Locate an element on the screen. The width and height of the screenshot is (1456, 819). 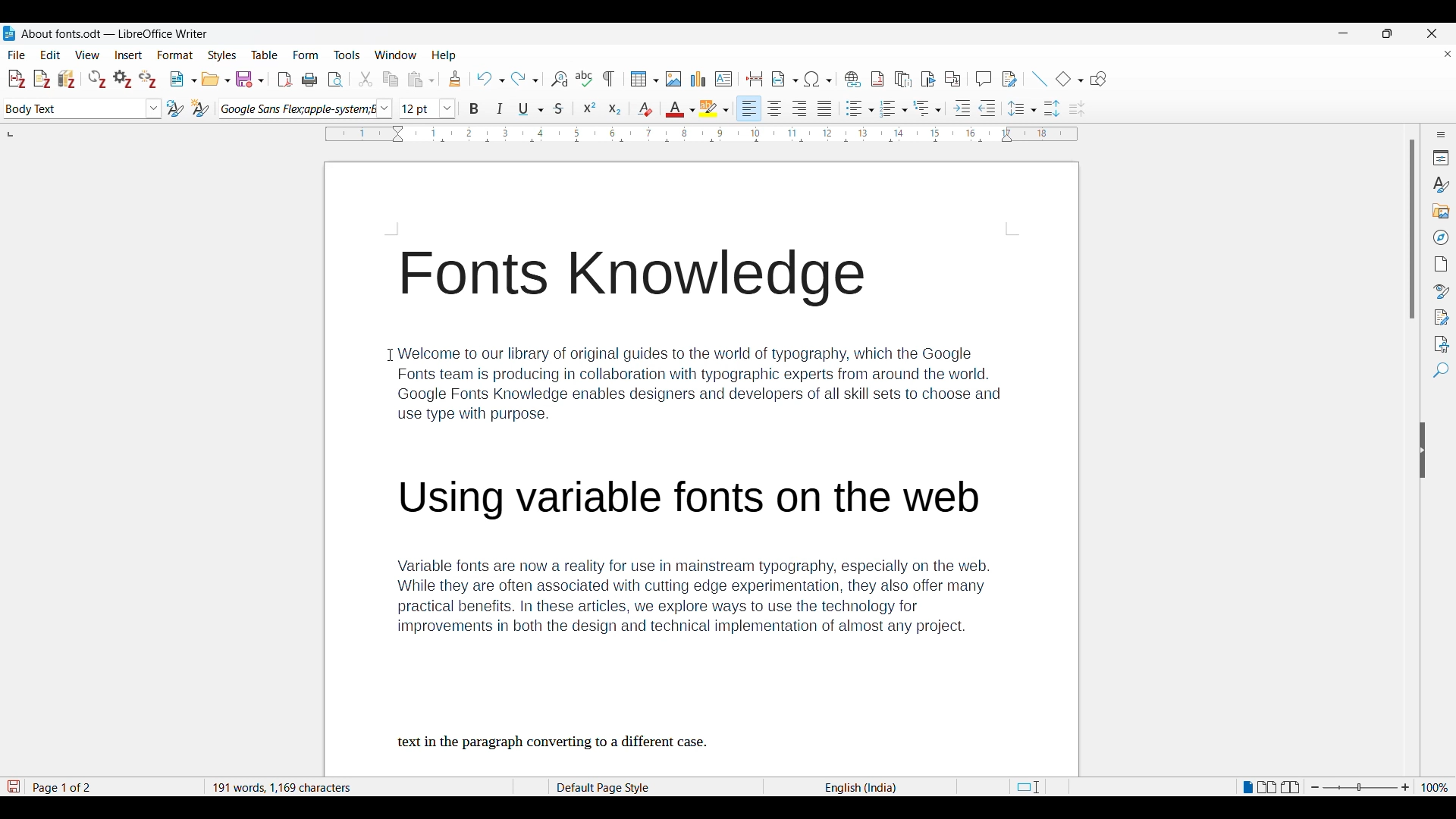
Clear direct formatting  is located at coordinates (645, 109).